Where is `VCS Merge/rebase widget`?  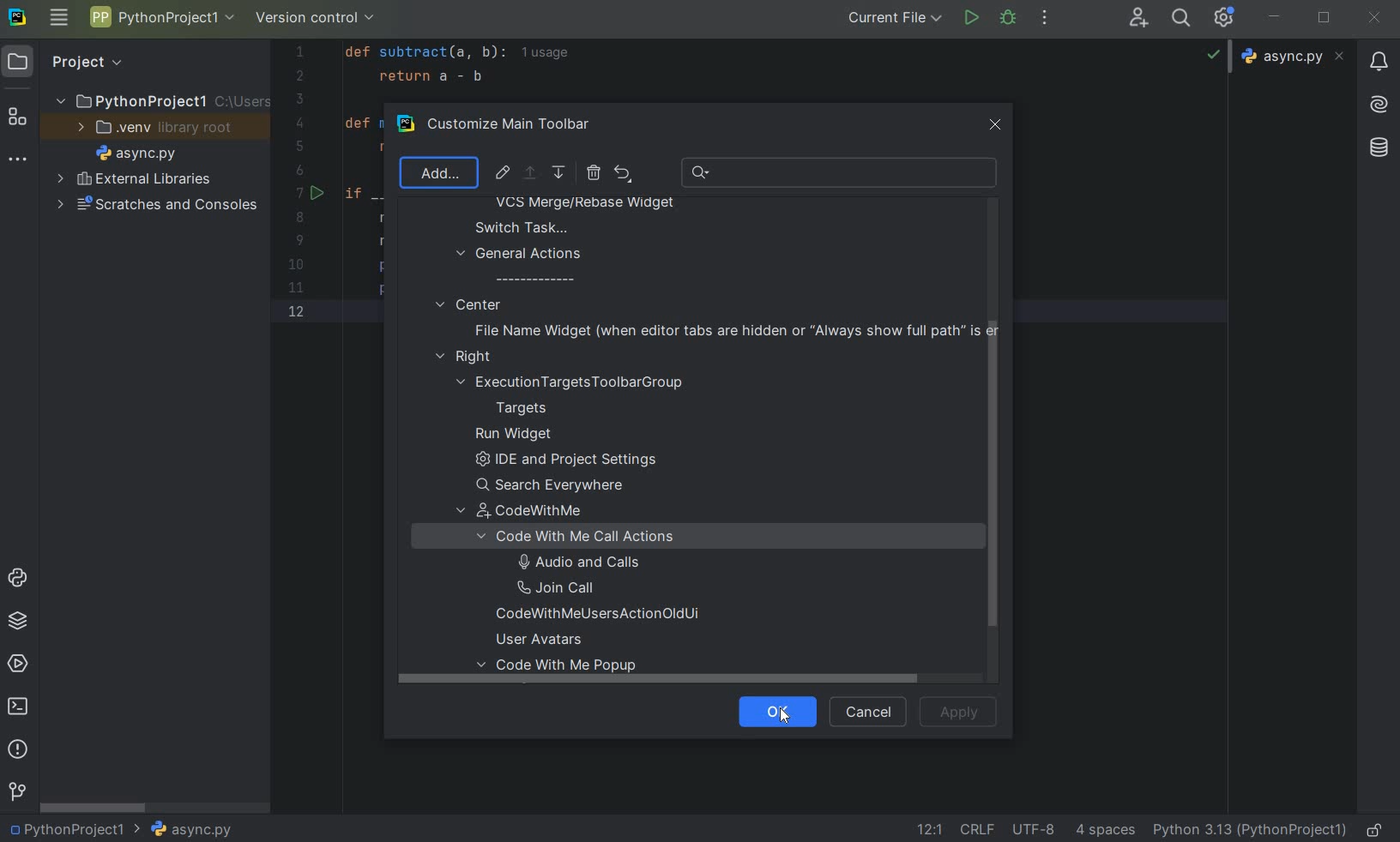
VCS Merge/rebase widget is located at coordinates (585, 204).